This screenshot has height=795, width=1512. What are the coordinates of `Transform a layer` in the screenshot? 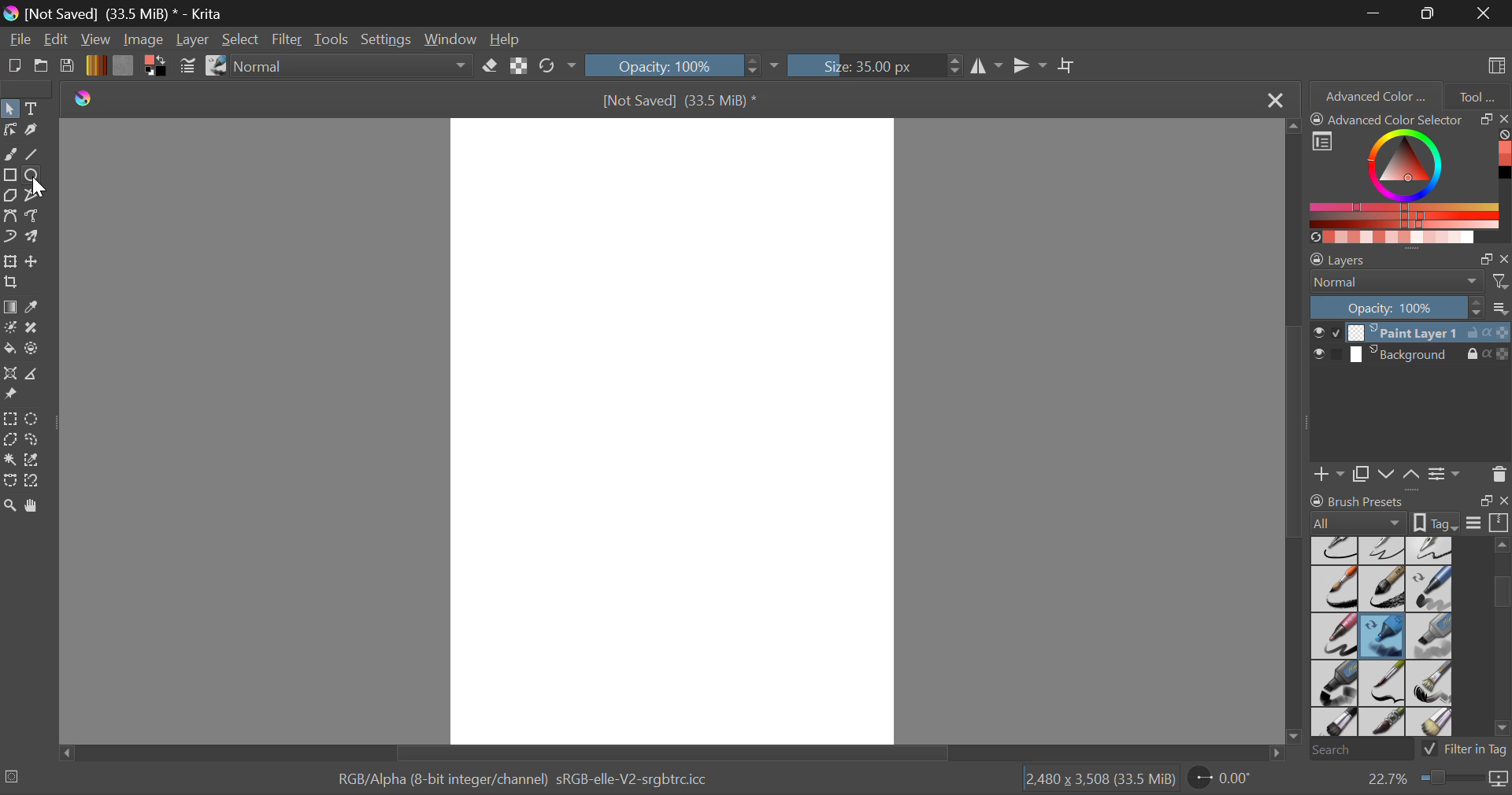 It's located at (9, 261).